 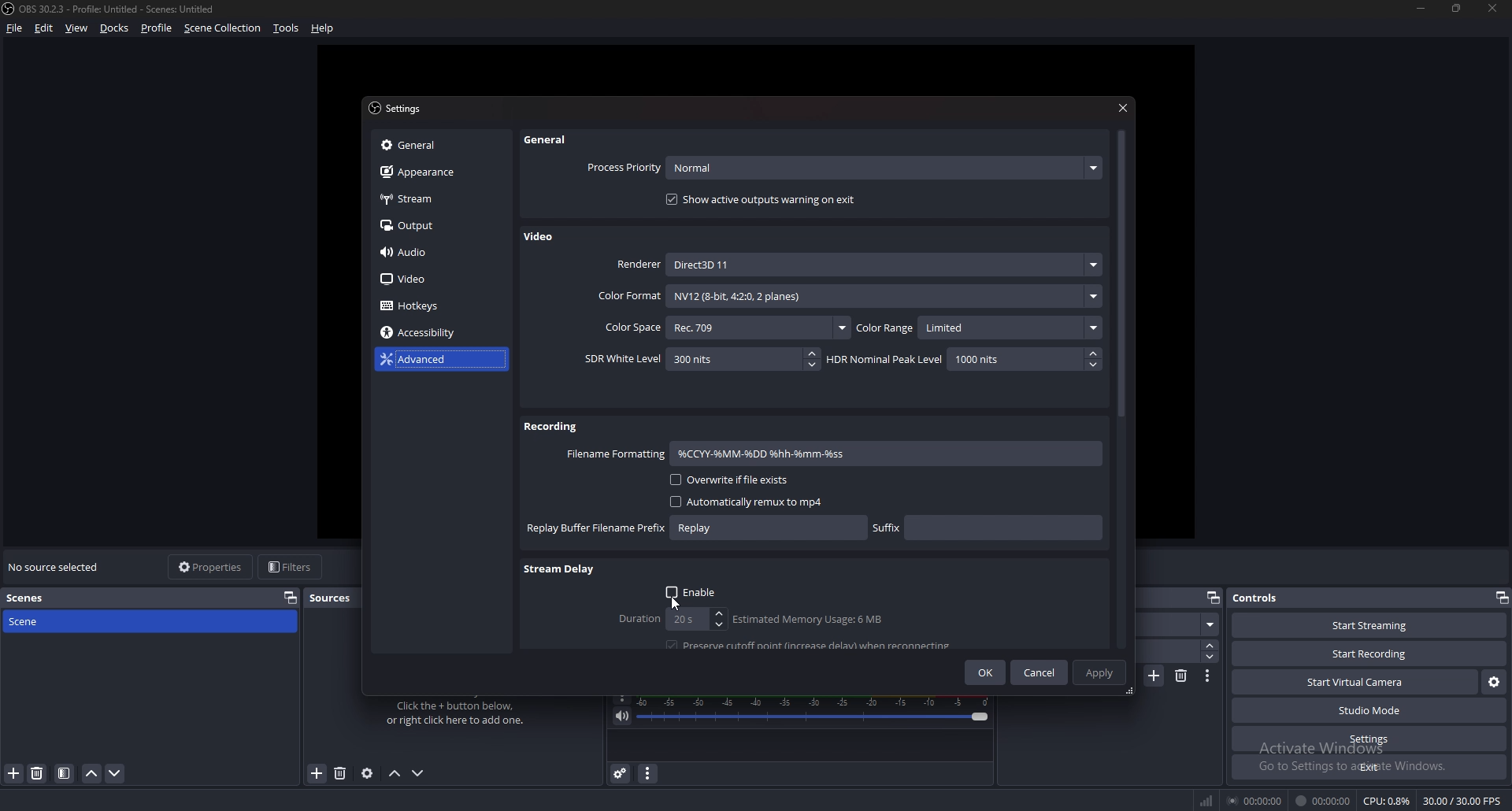 What do you see at coordinates (291, 566) in the screenshot?
I see `filters` at bounding box center [291, 566].